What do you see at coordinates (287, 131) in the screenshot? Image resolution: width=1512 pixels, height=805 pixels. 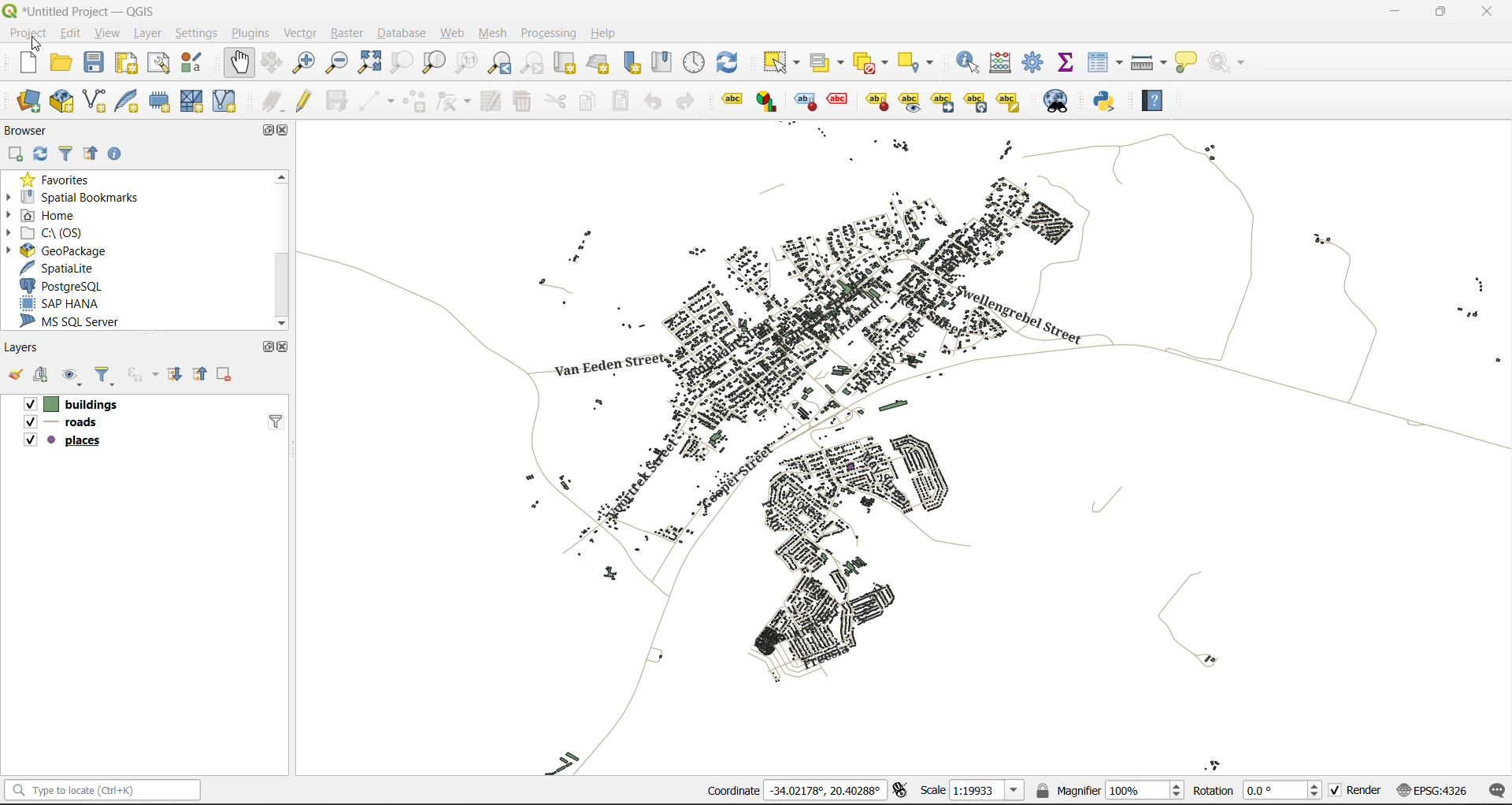 I see `close` at bounding box center [287, 131].